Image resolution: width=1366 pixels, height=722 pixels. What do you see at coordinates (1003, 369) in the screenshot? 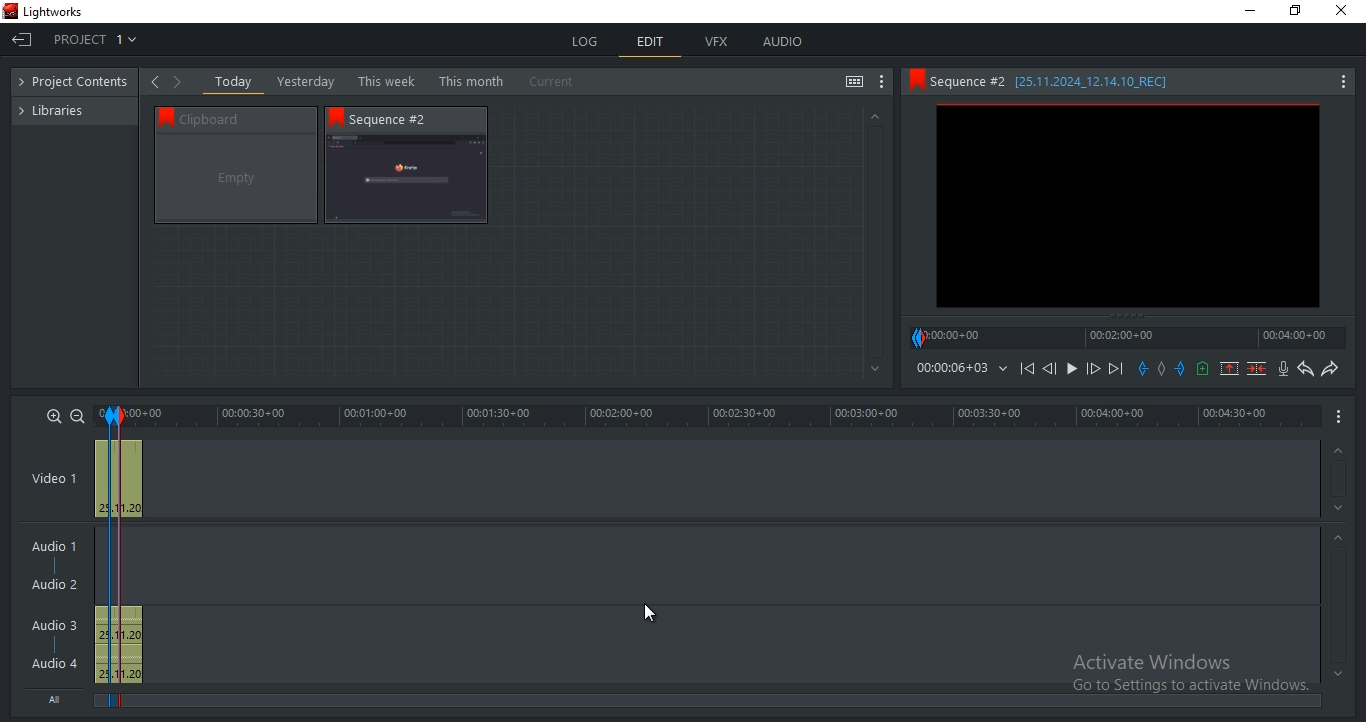
I see `Drop down arrow` at bounding box center [1003, 369].